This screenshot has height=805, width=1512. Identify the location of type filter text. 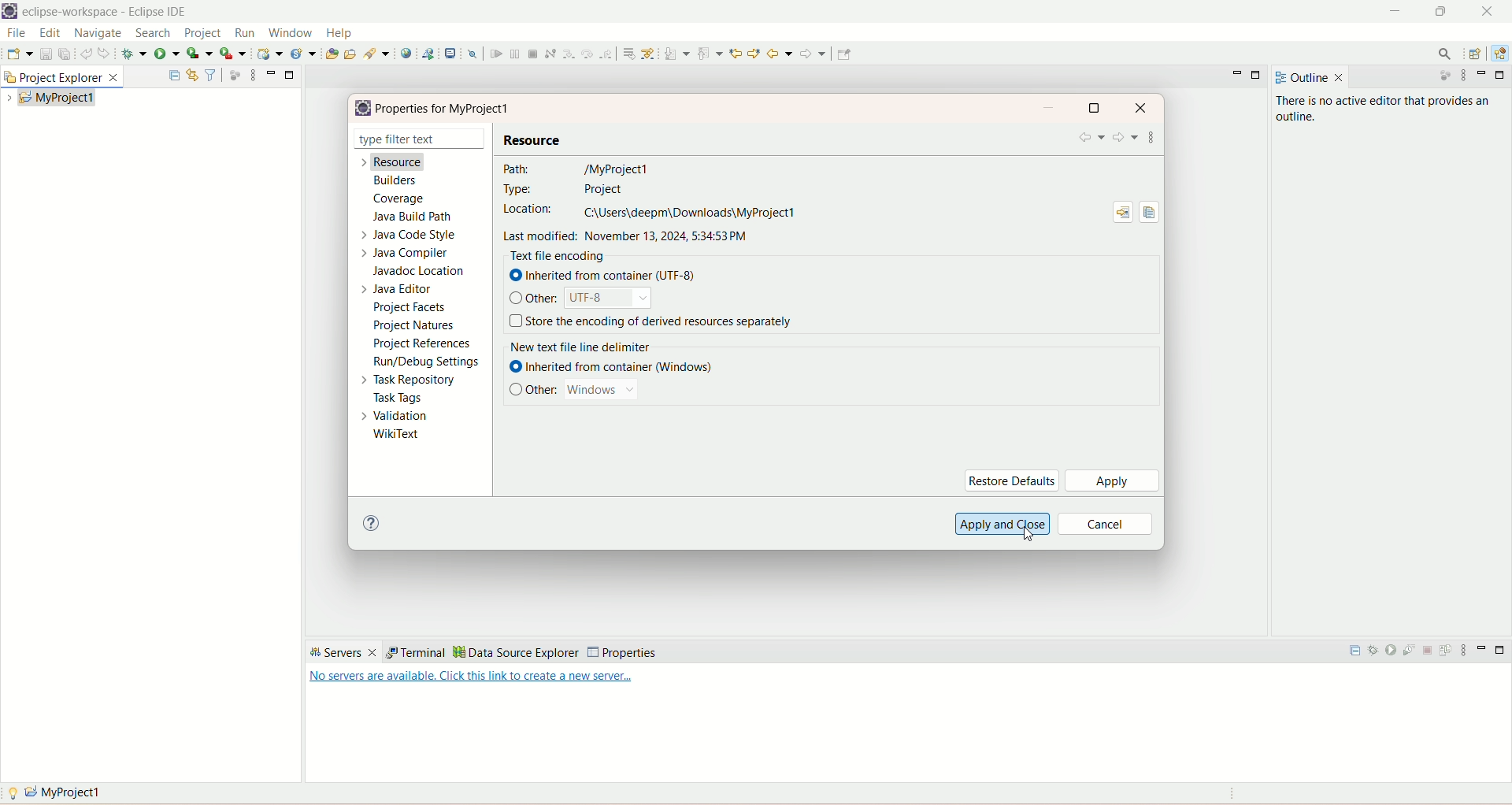
(422, 139).